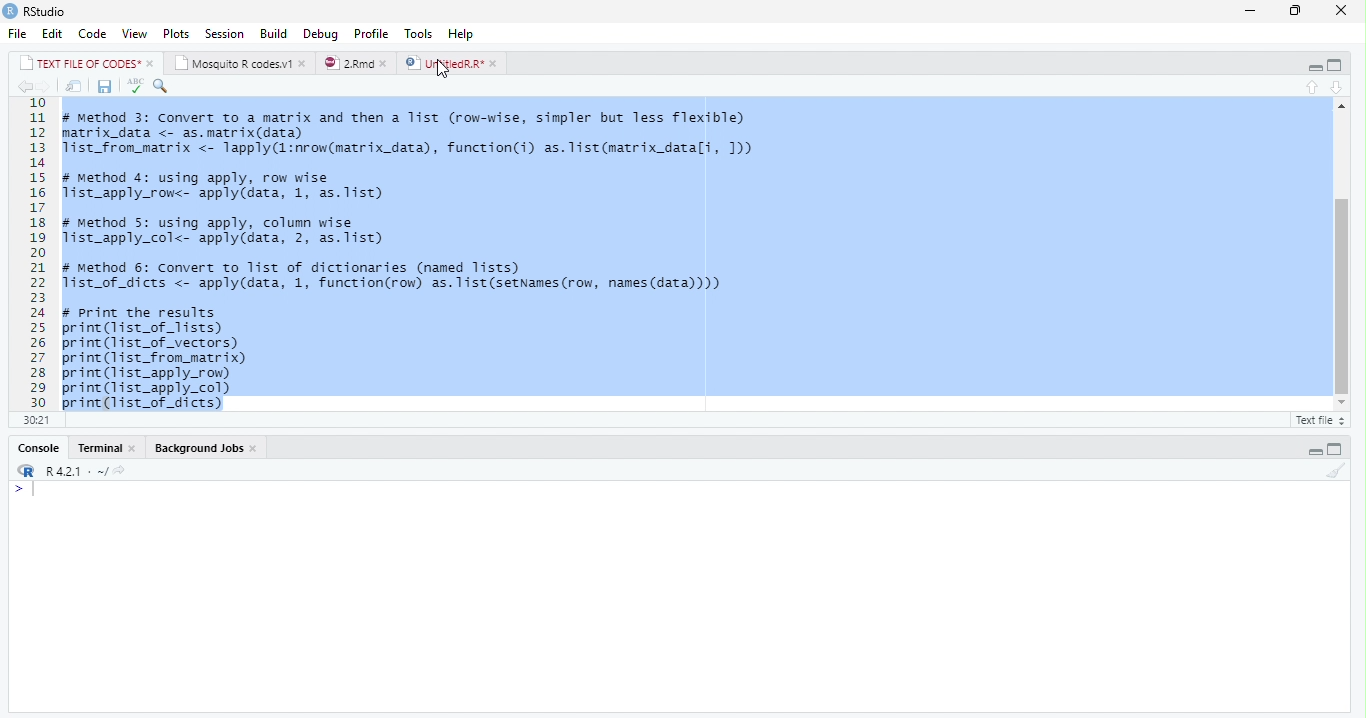 This screenshot has height=718, width=1366. What do you see at coordinates (78, 470) in the screenshot?
I see `R 4.2.1 - ~/` at bounding box center [78, 470].